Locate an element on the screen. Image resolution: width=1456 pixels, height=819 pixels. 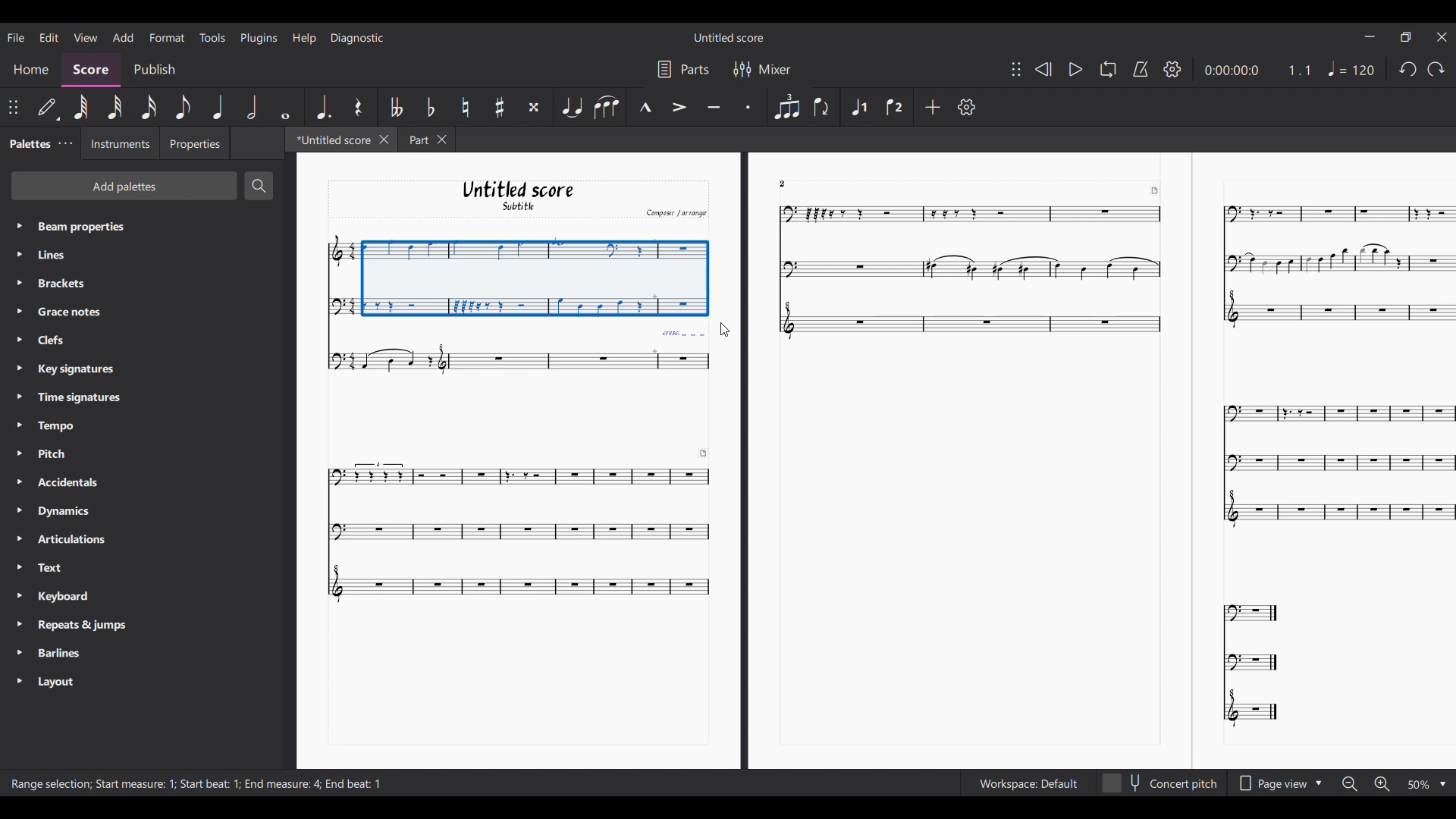
Cursor is located at coordinates (726, 330).